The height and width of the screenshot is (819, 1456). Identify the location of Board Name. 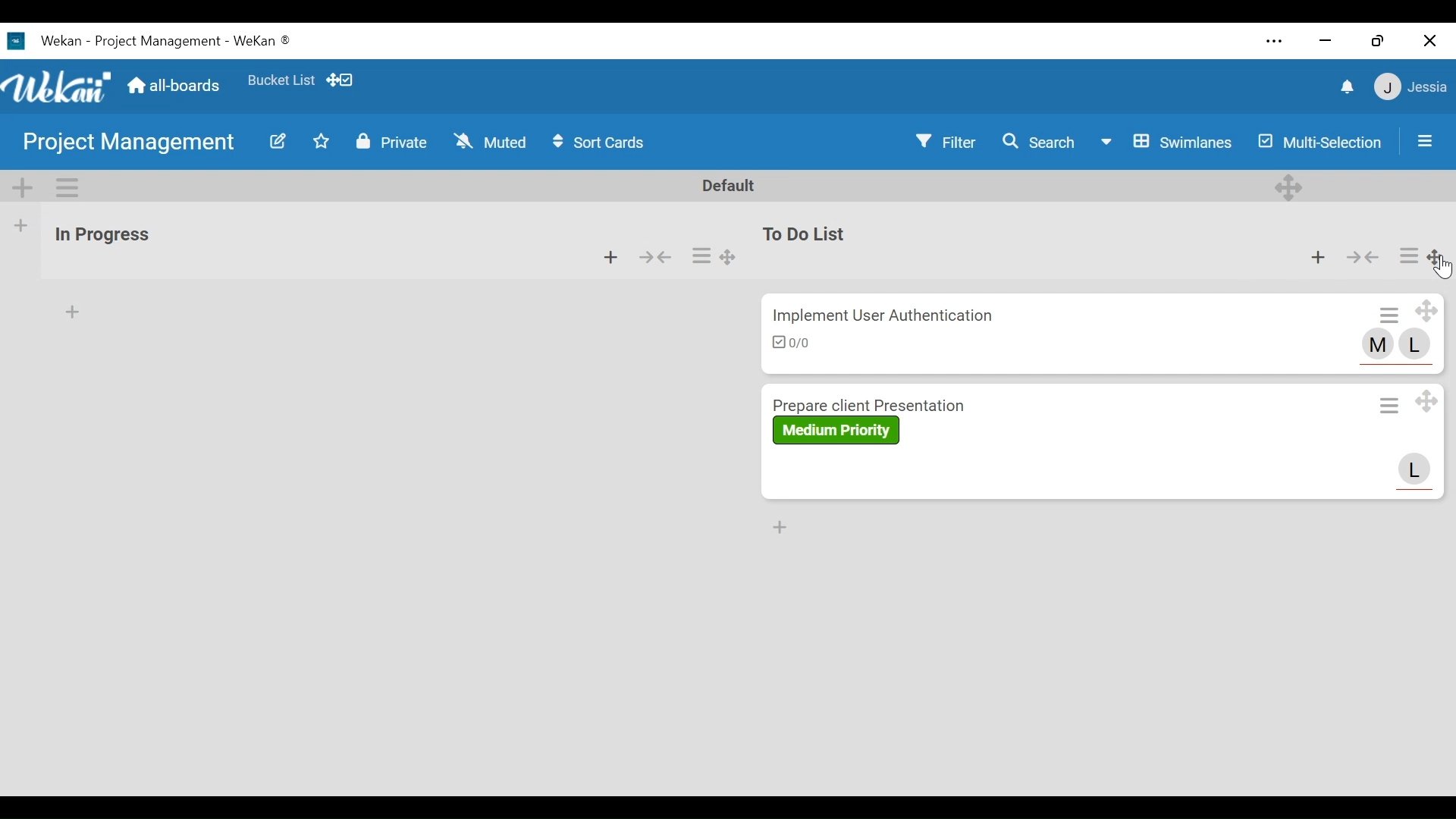
(130, 142).